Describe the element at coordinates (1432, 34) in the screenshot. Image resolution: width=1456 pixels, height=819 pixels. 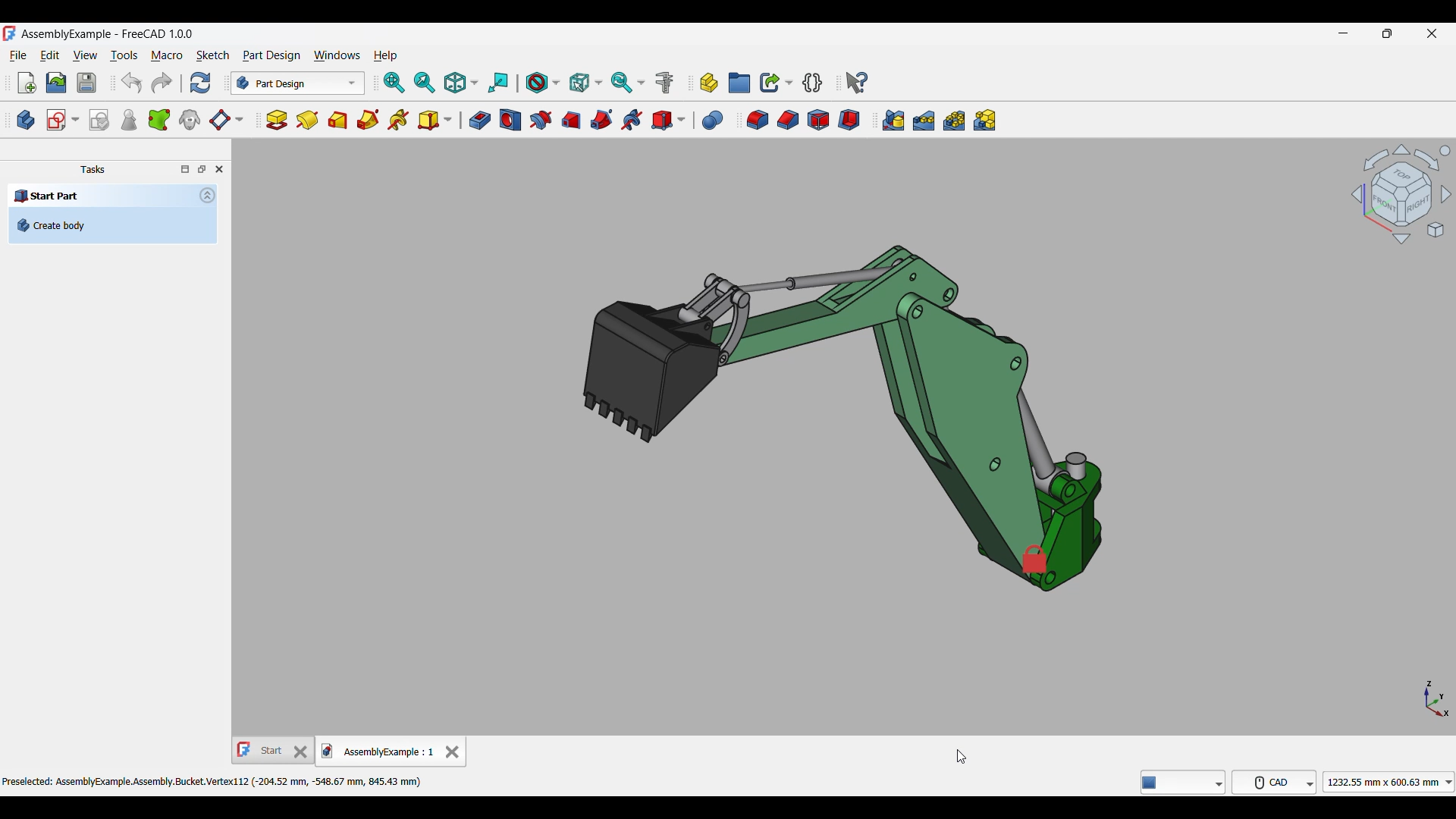
I see `Close interface` at that location.